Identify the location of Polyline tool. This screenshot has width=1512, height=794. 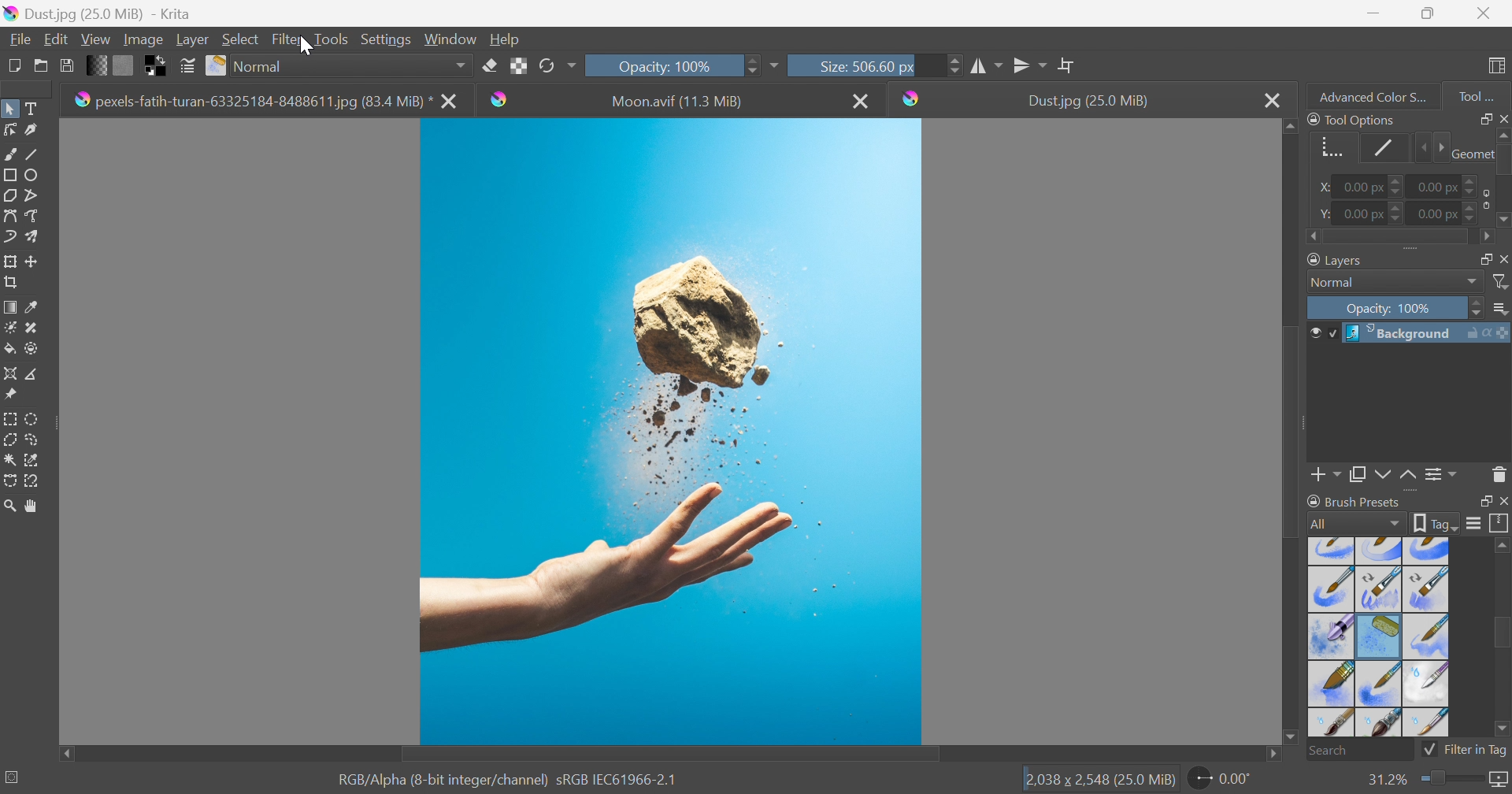
(38, 194).